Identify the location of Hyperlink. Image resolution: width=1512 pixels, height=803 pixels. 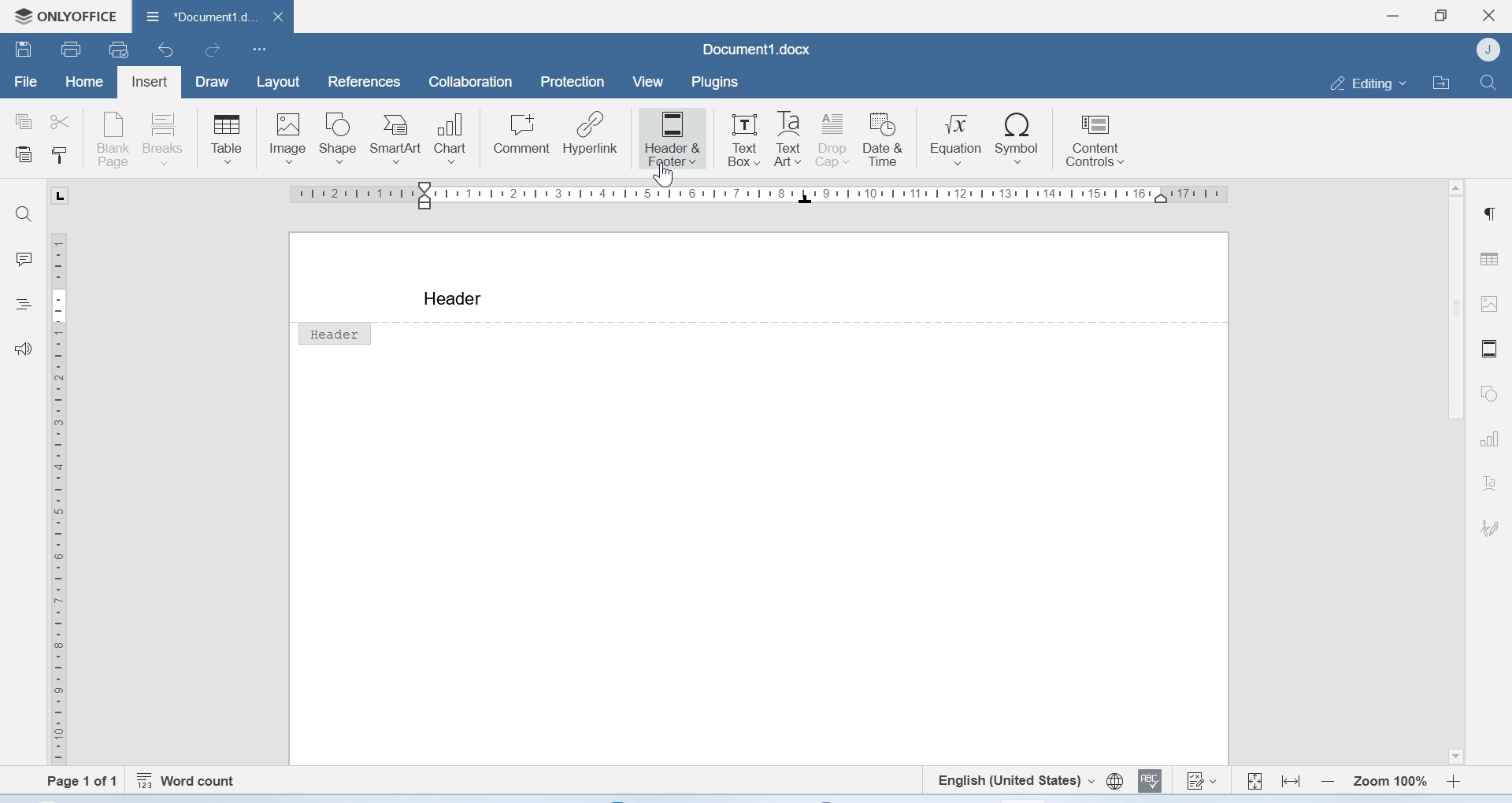
(591, 135).